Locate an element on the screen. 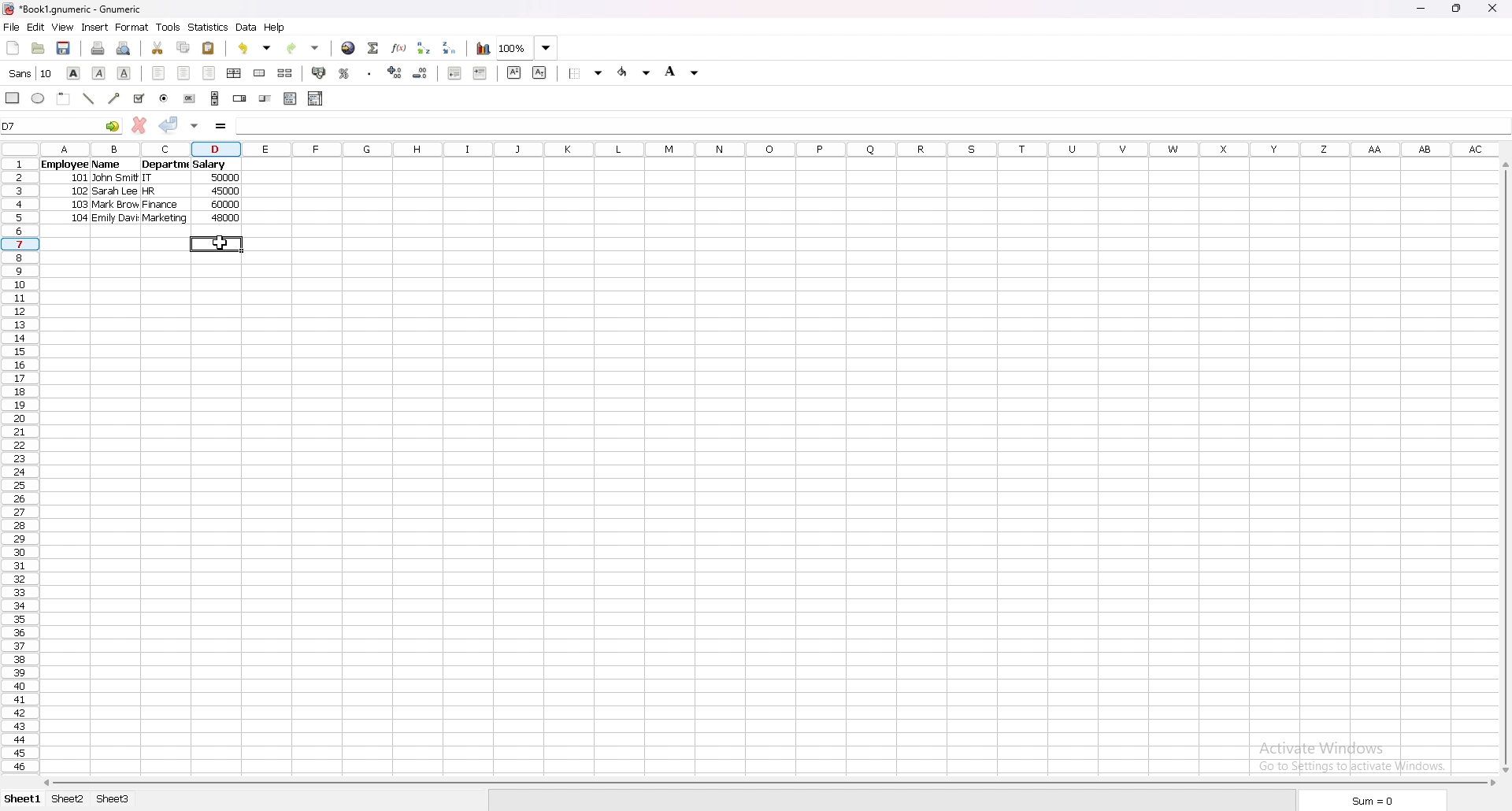 This screenshot has height=811, width=1512. thousands separator is located at coordinates (369, 72).